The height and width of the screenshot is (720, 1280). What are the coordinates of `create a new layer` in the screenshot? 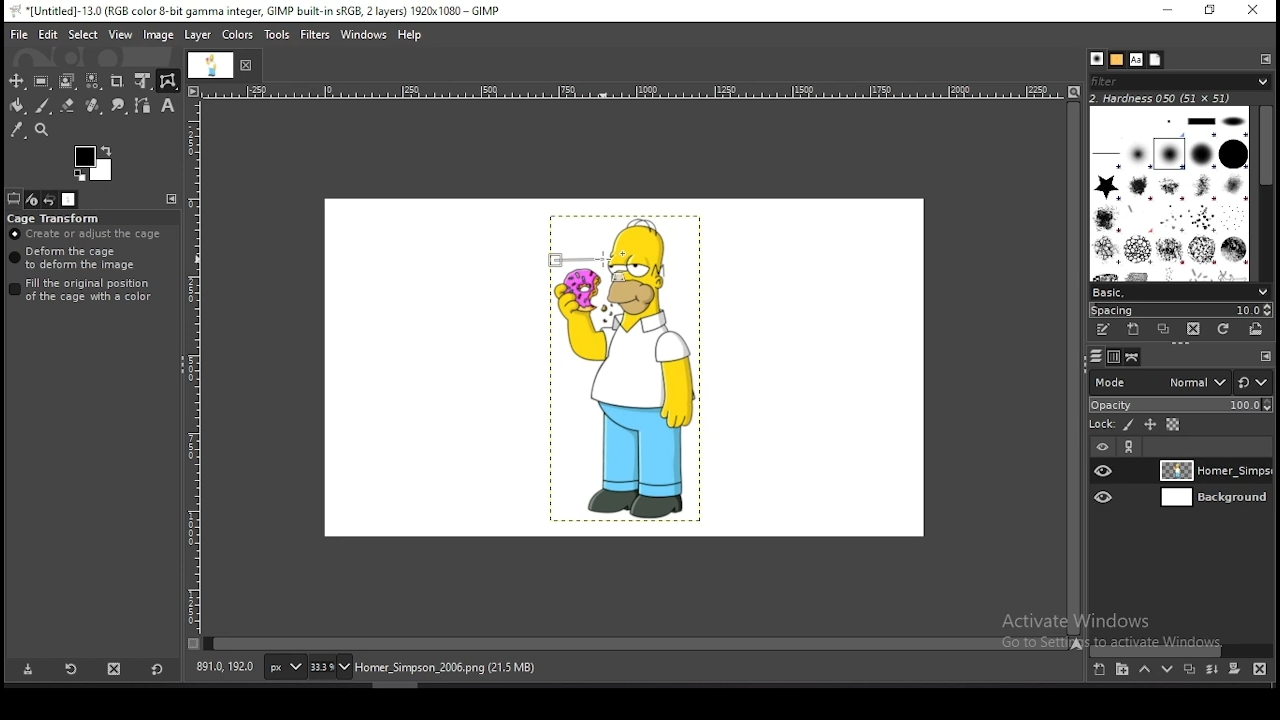 It's located at (1099, 670).